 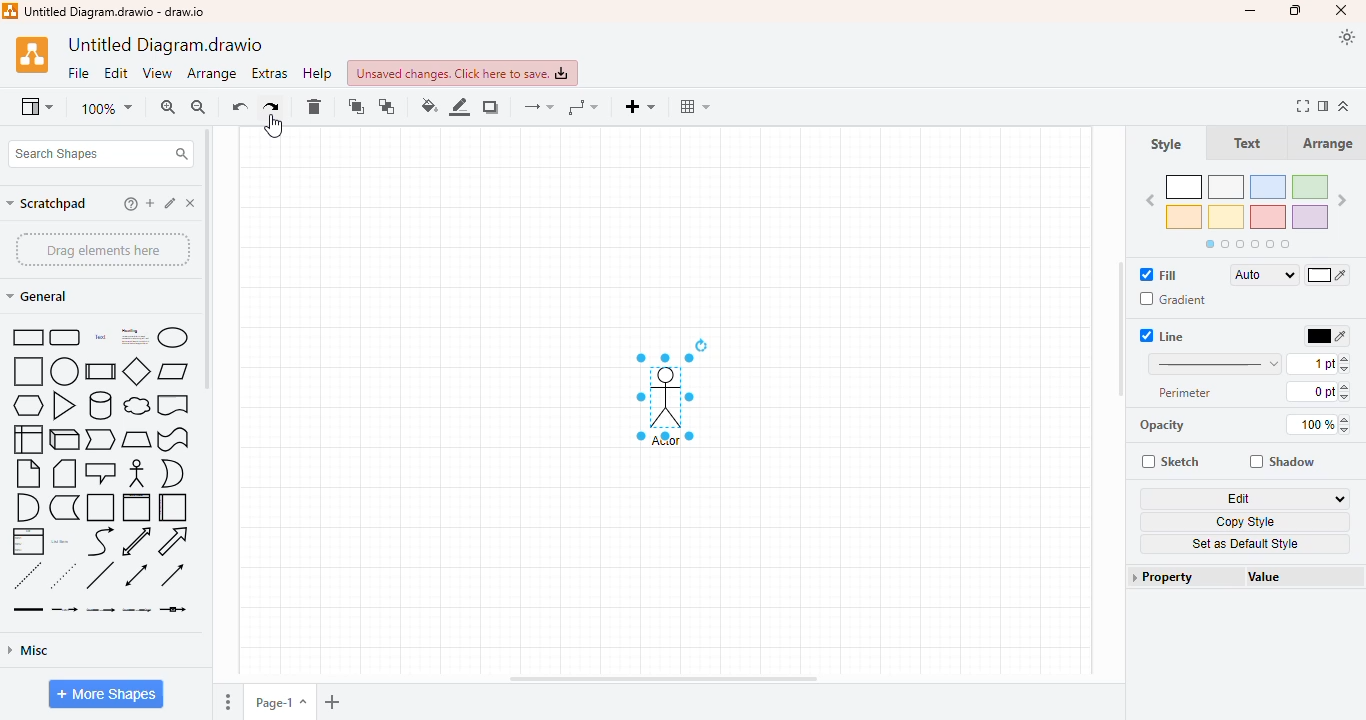 I want to click on 1pt, so click(x=1319, y=363).